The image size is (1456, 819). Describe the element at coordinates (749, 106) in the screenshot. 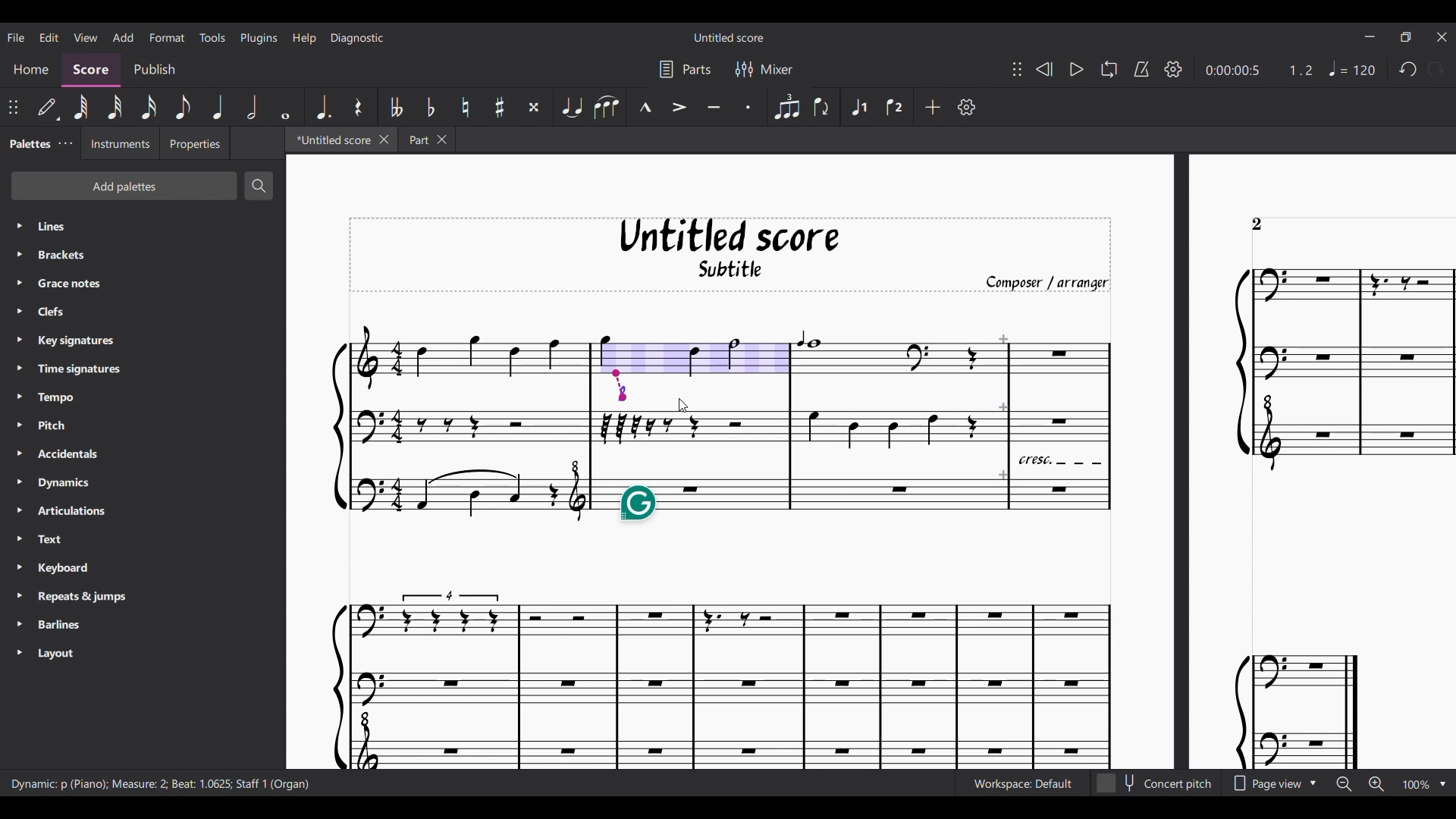

I see `Staccato` at that location.